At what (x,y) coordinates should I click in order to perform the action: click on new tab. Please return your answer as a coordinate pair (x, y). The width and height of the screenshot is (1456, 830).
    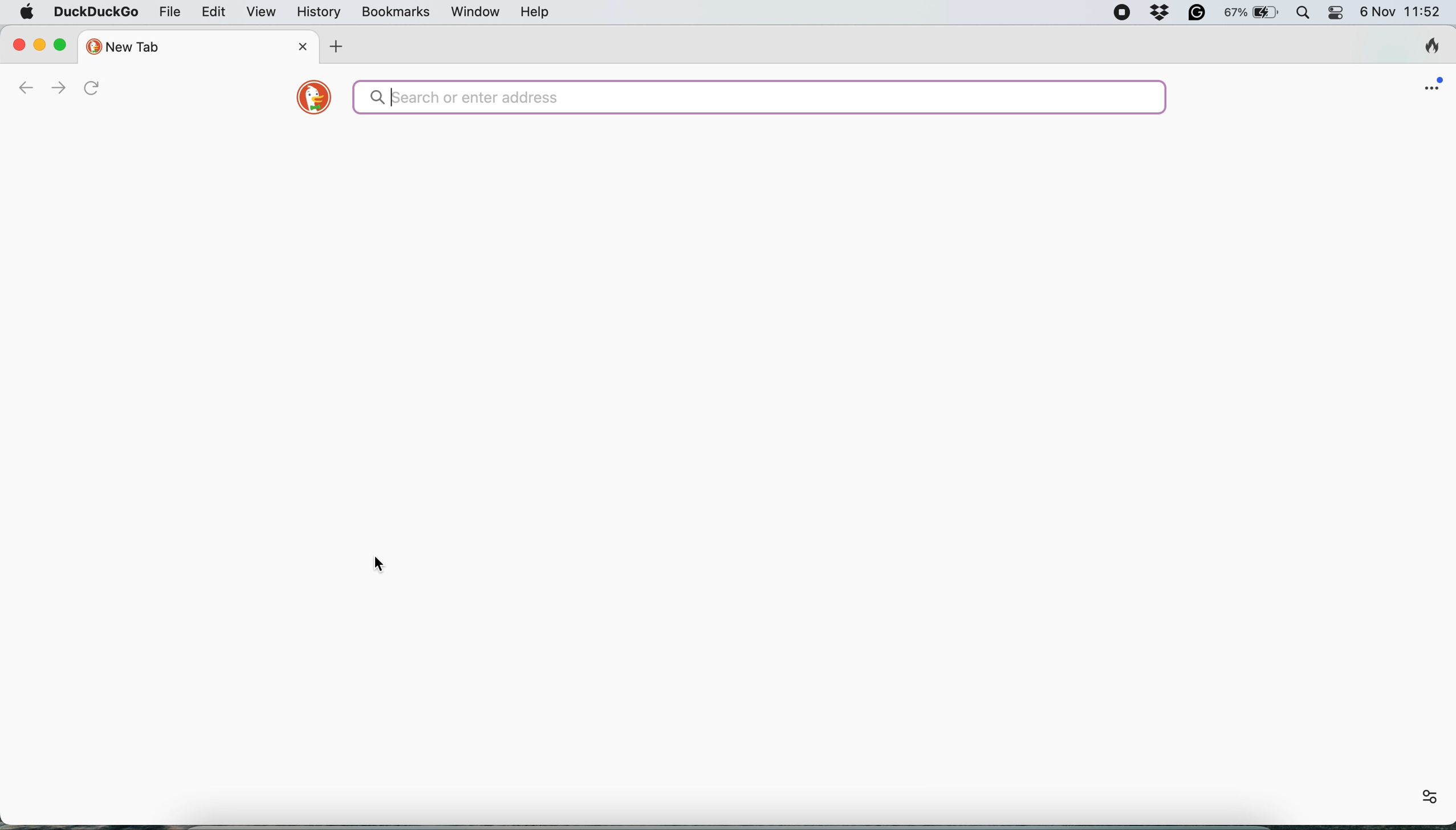
    Looking at the image, I should click on (185, 45).